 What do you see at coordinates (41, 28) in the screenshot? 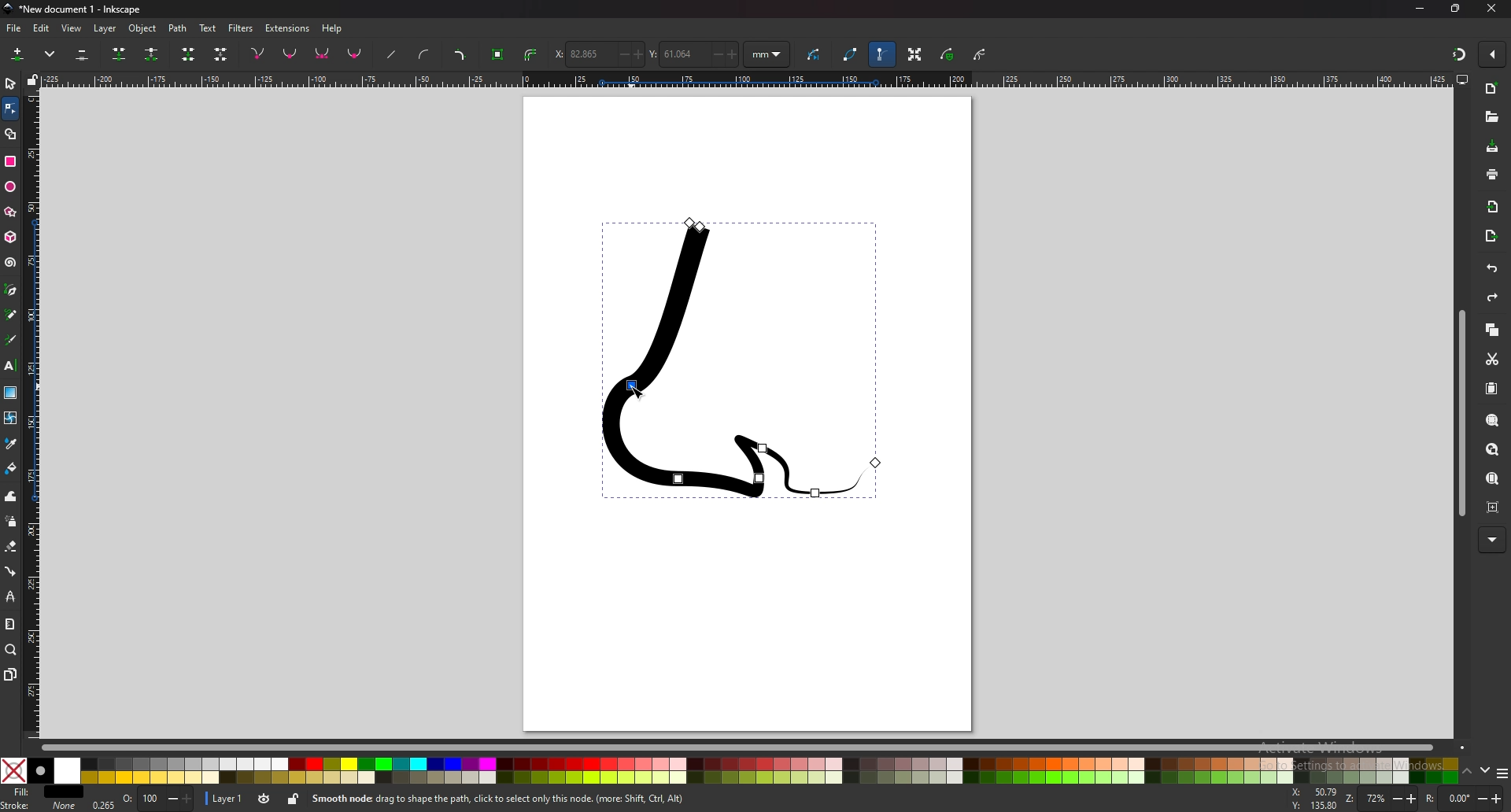
I see `edit` at bounding box center [41, 28].